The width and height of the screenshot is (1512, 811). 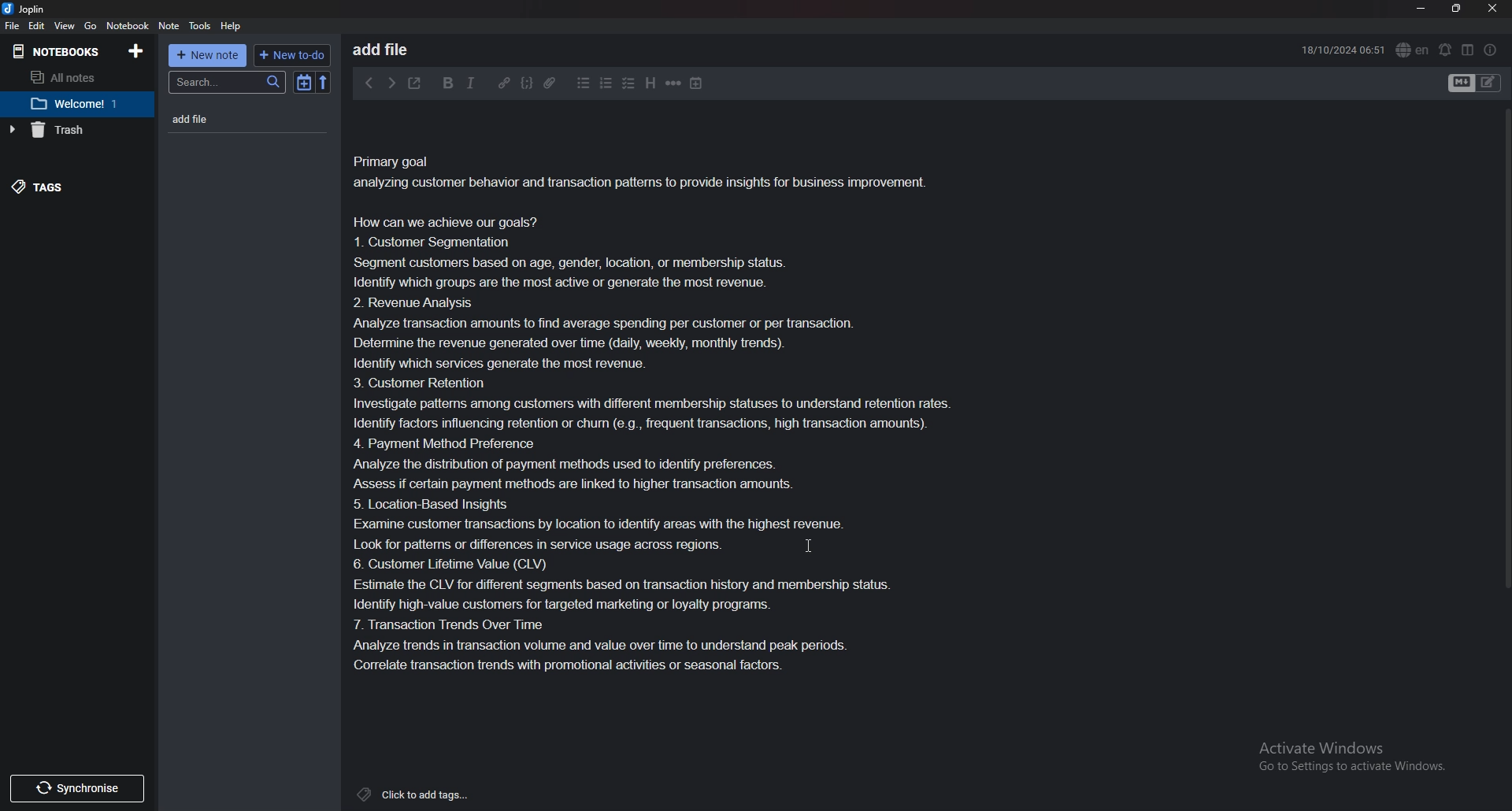 I want to click on Edit, so click(x=37, y=26).